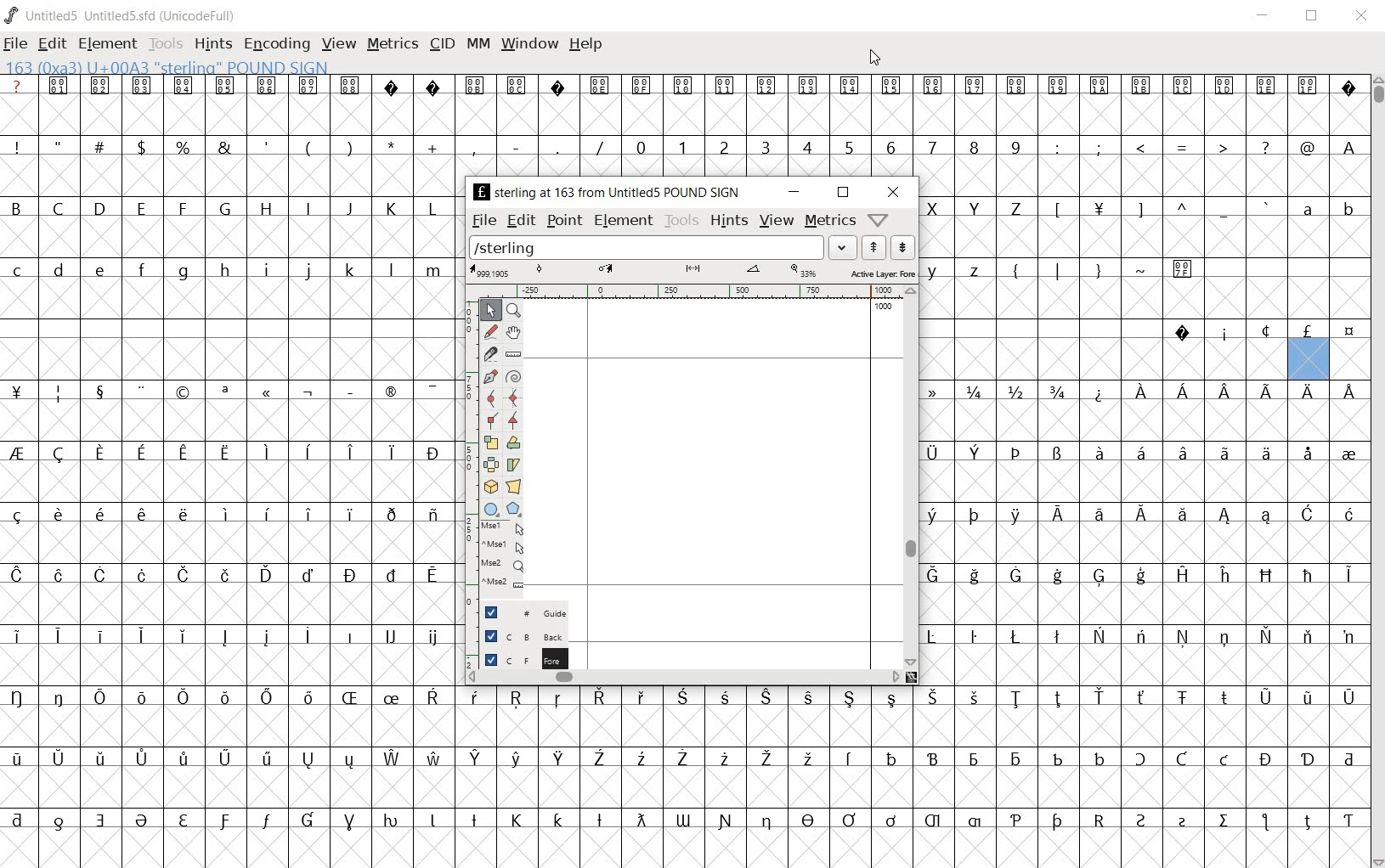 Image resolution: width=1385 pixels, height=868 pixels. What do you see at coordinates (1225, 389) in the screenshot?
I see `` at bounding box center [1225, 389].